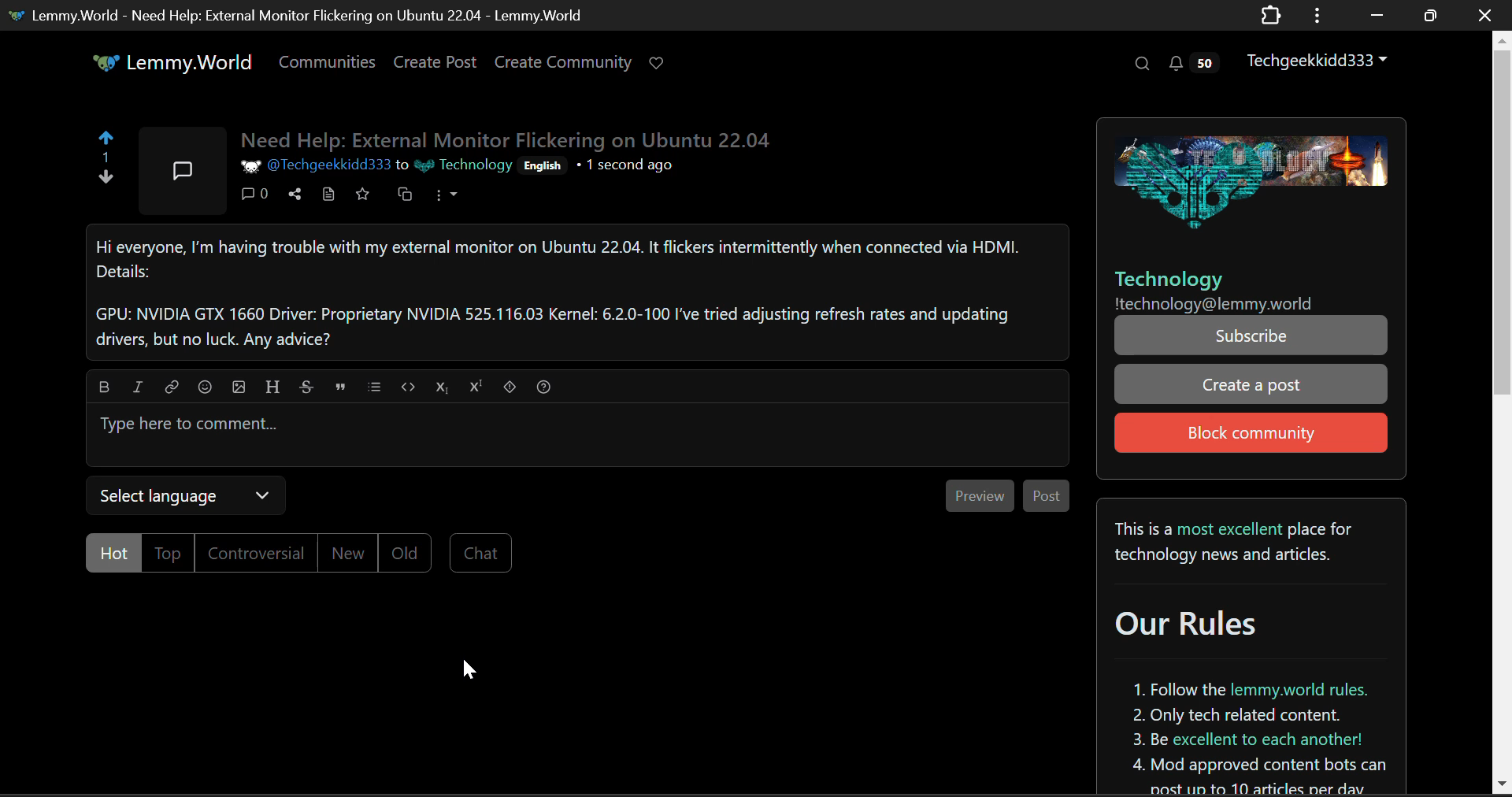 This screenshot has width=1512, height=797. Describe the element at coordinates (1251, 433) in the screenshot. I see `Block community` at that location.